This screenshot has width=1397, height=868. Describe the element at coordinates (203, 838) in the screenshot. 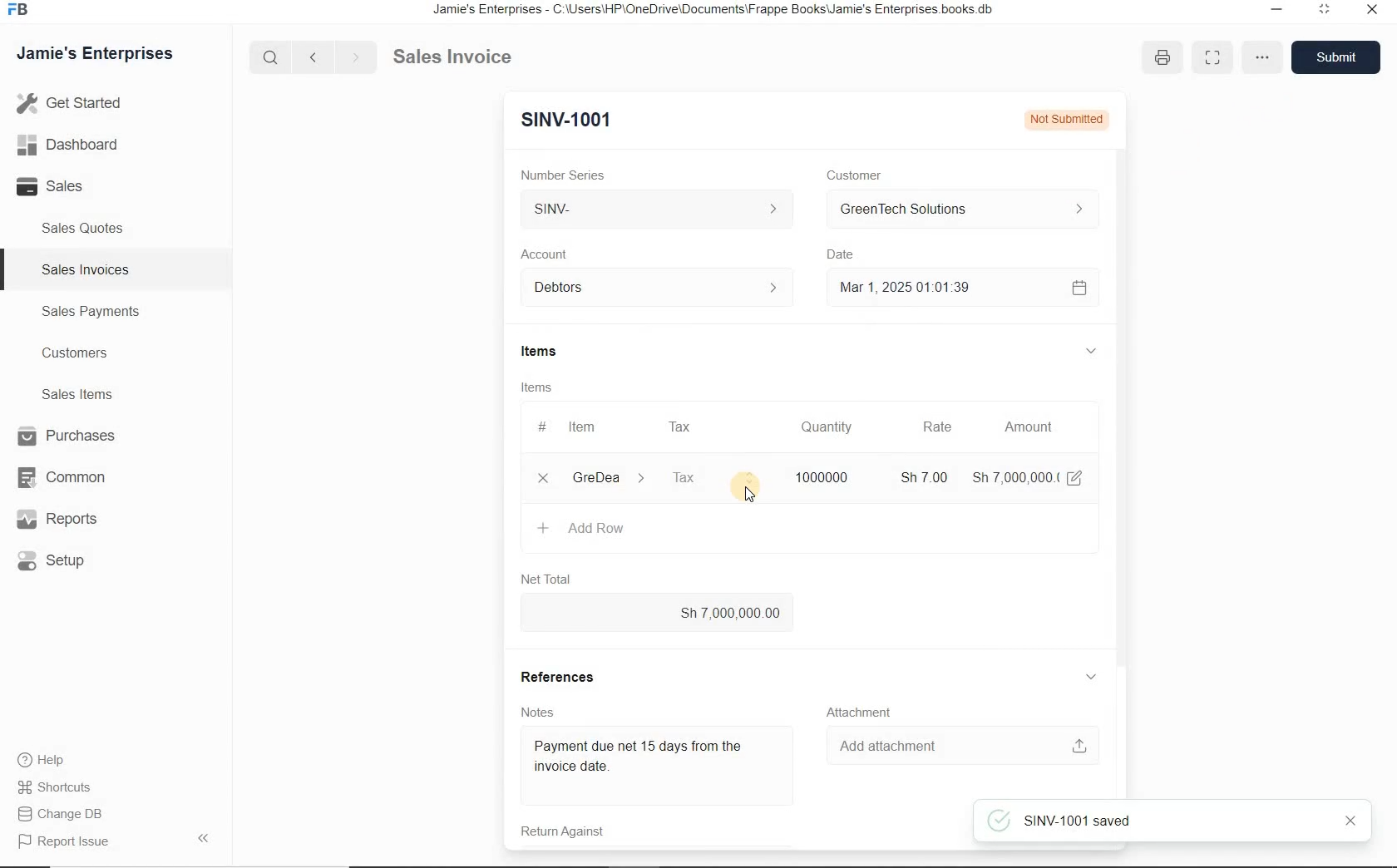

I see `hide` at that location.